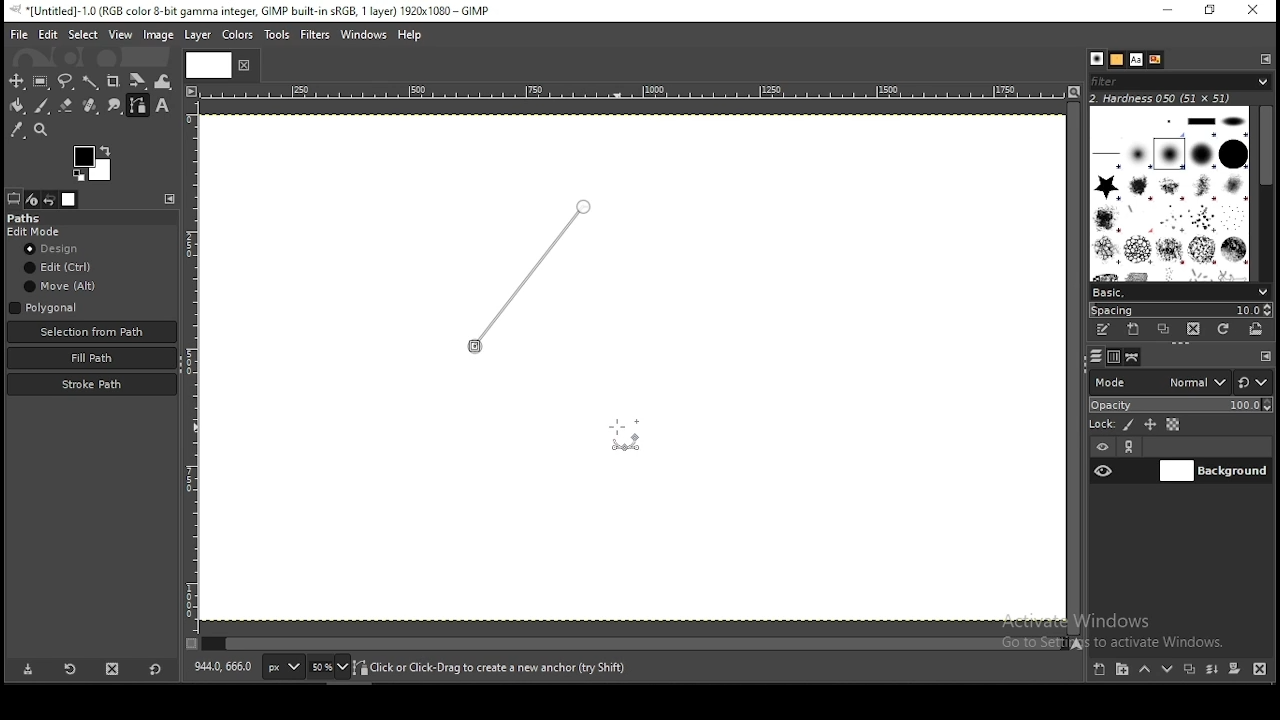  What do you see at coordinates (1129, 424) in the screenshot?
I see `lock pixels` at bounding box center [1129, 424].